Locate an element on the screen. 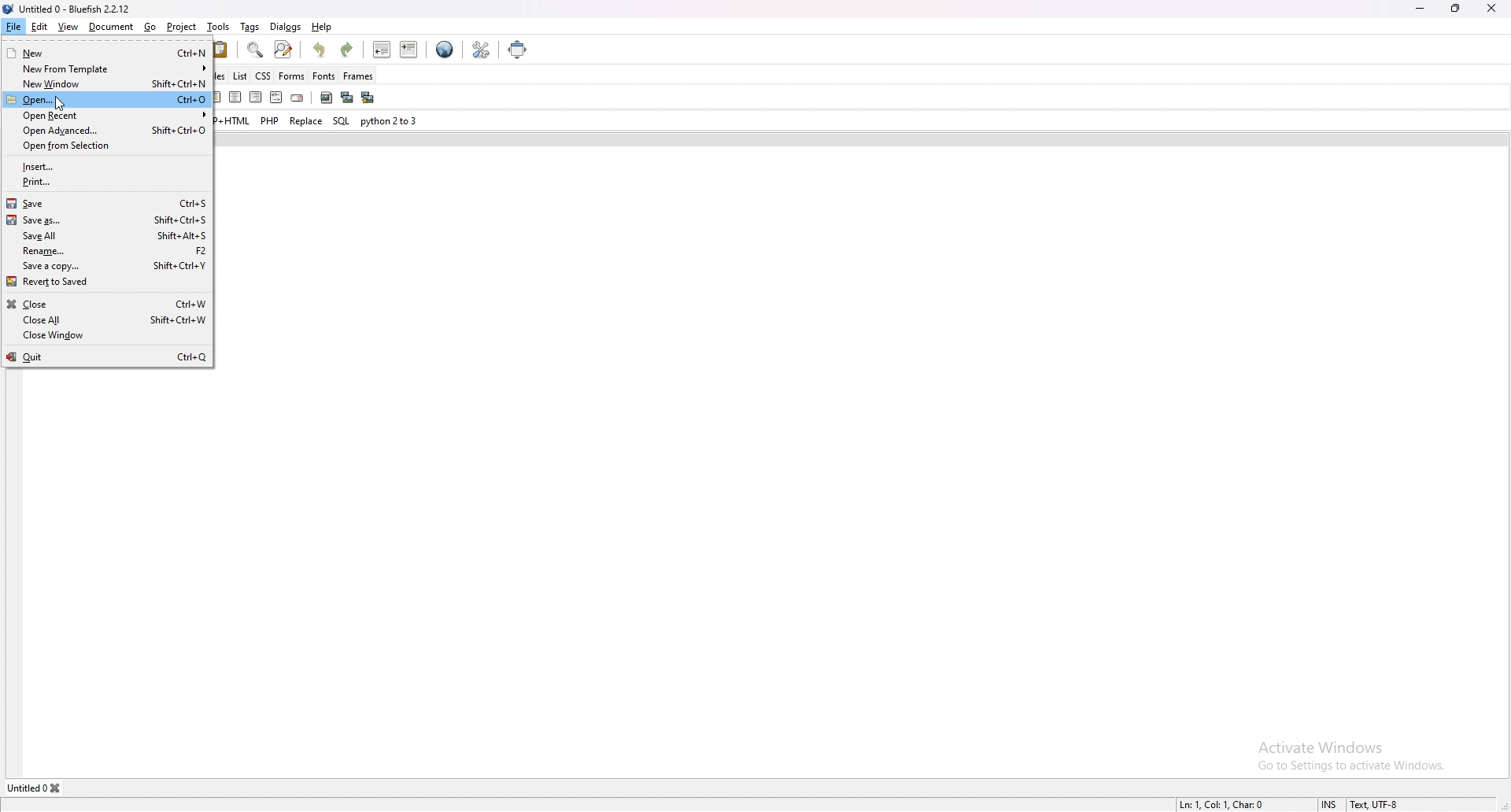 The width and height of the screenshot is (1511, 812). Shifts Ctri+Y is located at coordinates (181, 268).